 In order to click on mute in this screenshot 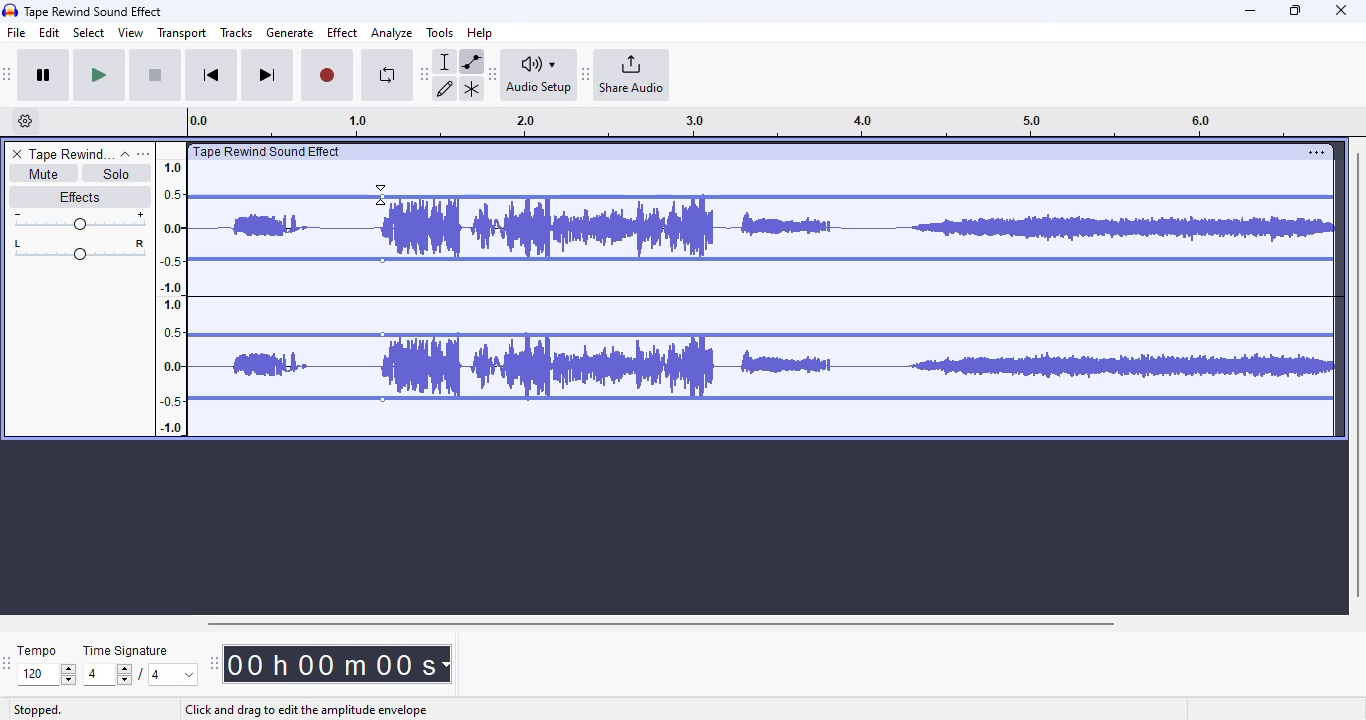, I will do `click(42, 174)`.